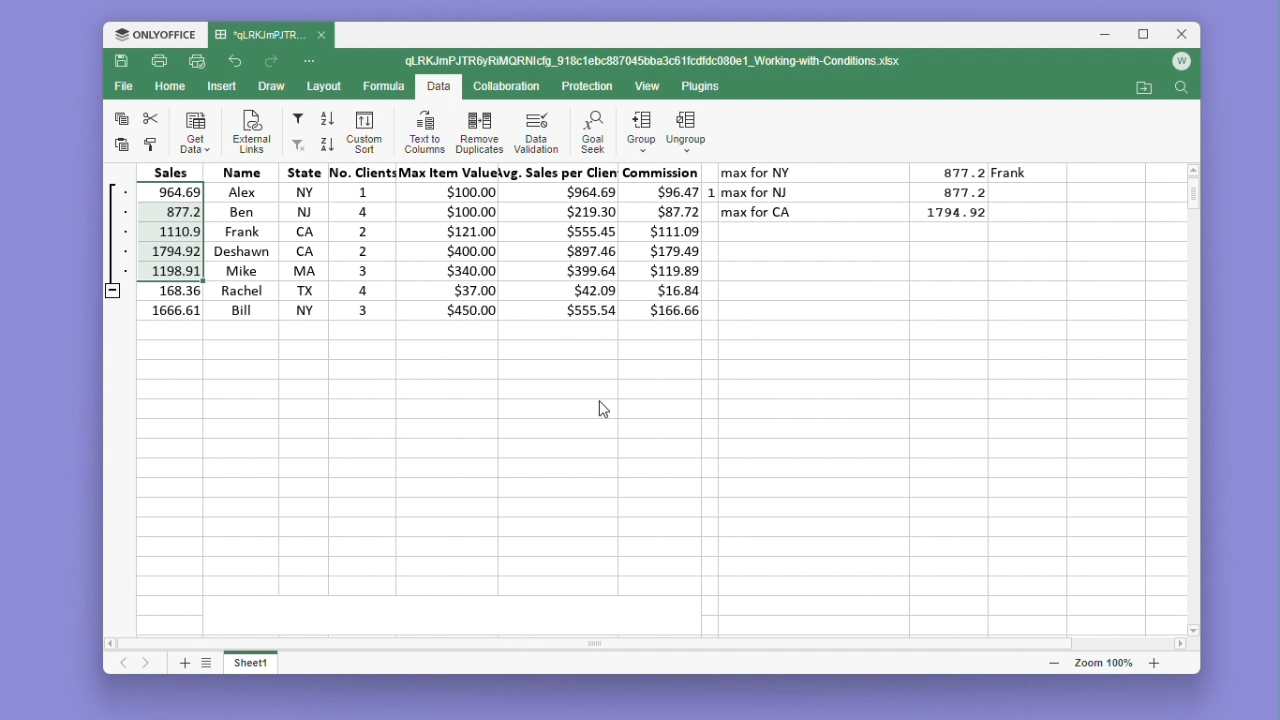 The image size is (1280, 720). Describe the element at coordinates (270, 87) in the screenshot. I see `Draw` at that location.